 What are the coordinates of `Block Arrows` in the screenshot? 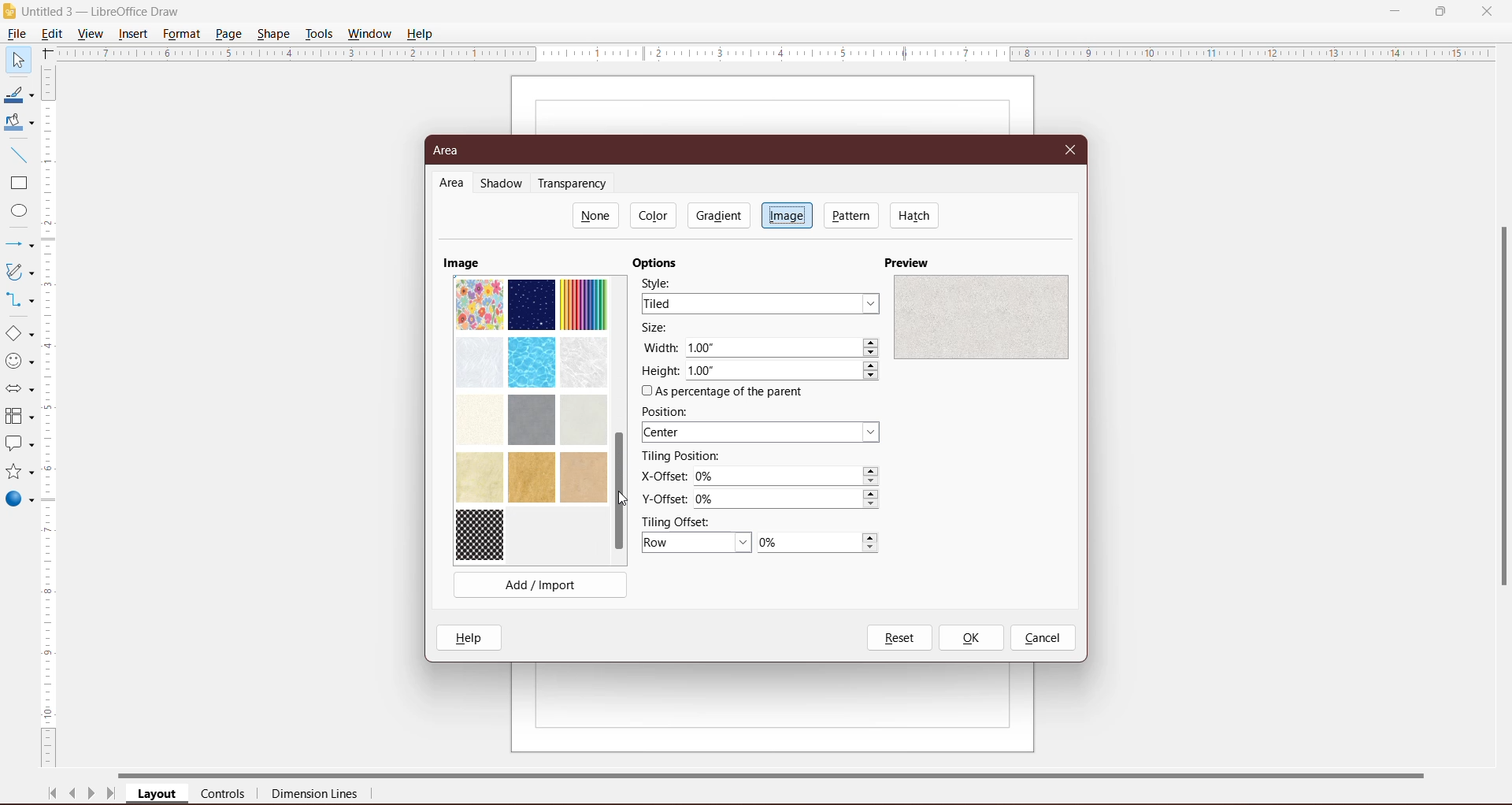 It's located at (18, 391).